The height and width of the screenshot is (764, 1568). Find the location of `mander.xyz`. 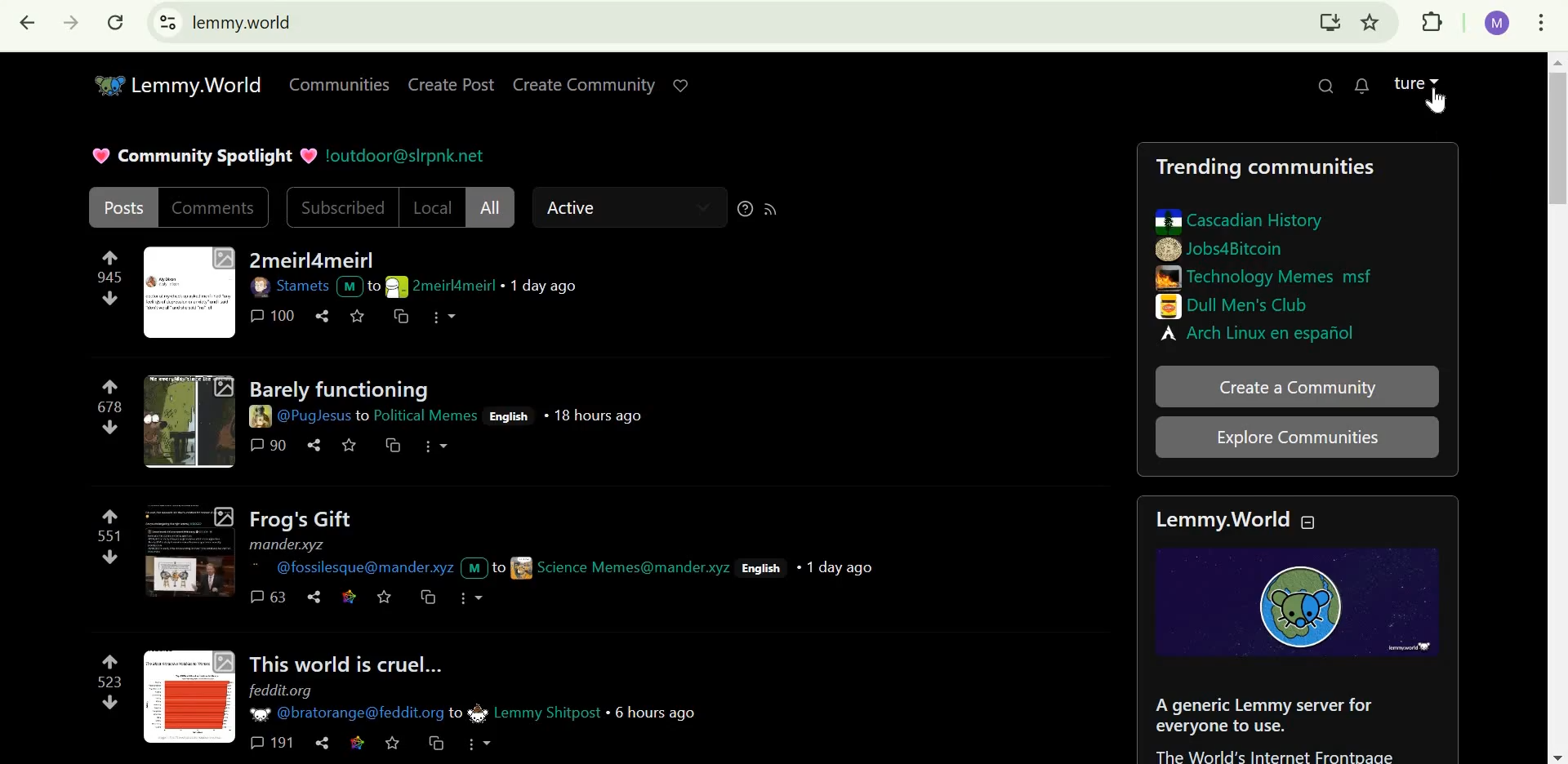

mander.xyz is located at coordinates (289, 544).